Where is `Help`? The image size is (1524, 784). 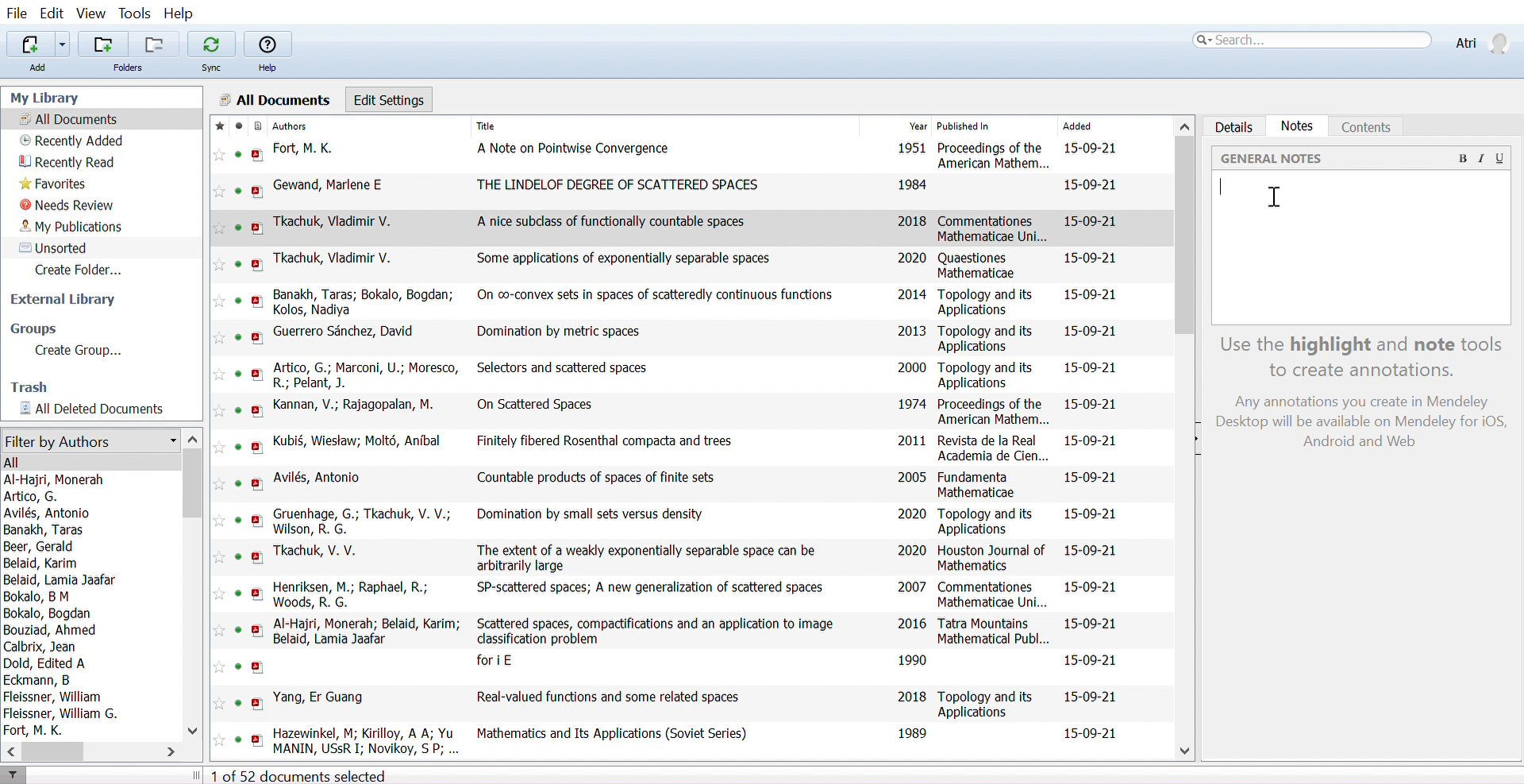 Help is located at coordinates (269, 44).